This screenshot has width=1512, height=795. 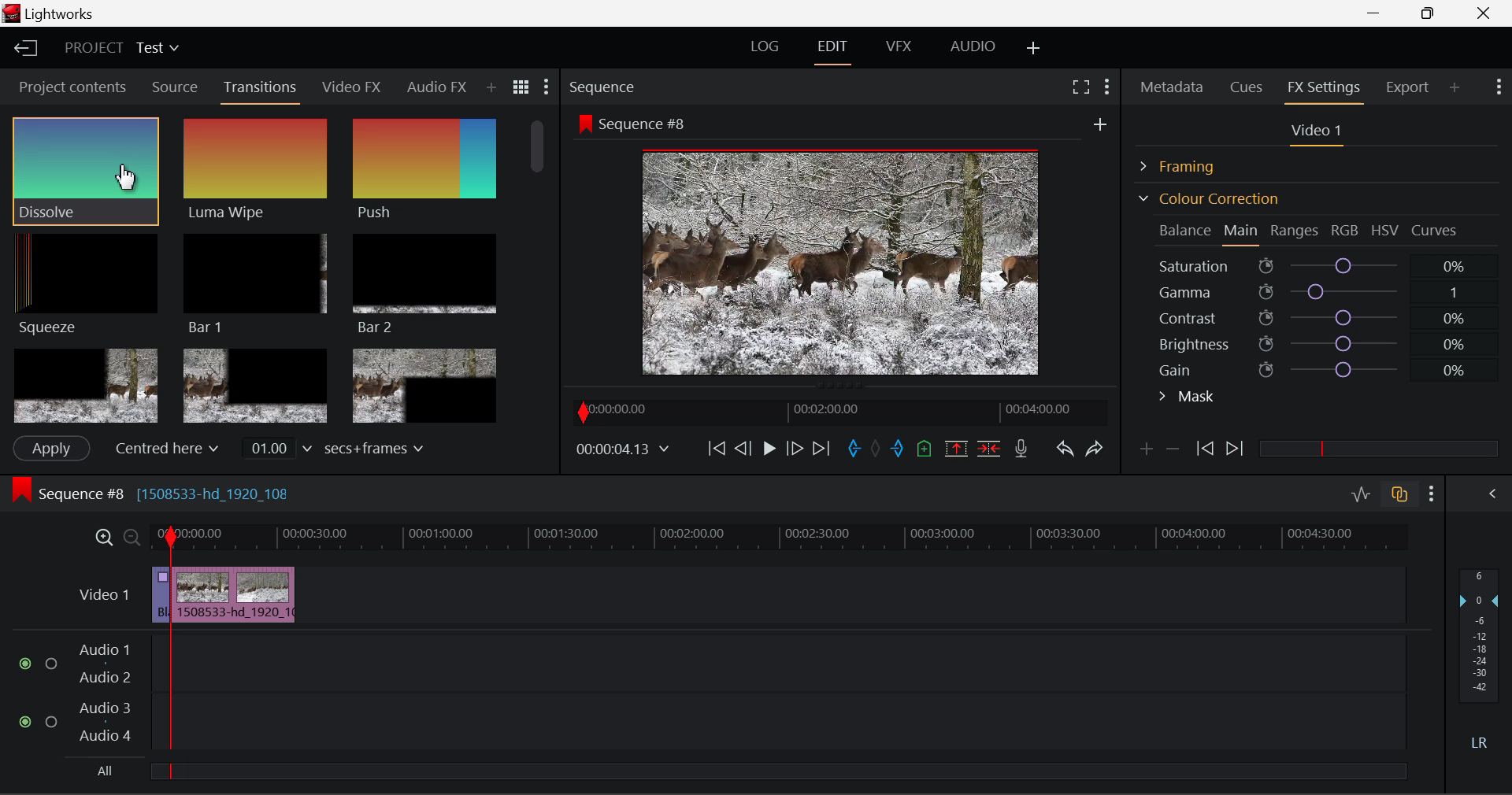 I want to click on Toggle audio track sync, so click(x=1400, y=493).